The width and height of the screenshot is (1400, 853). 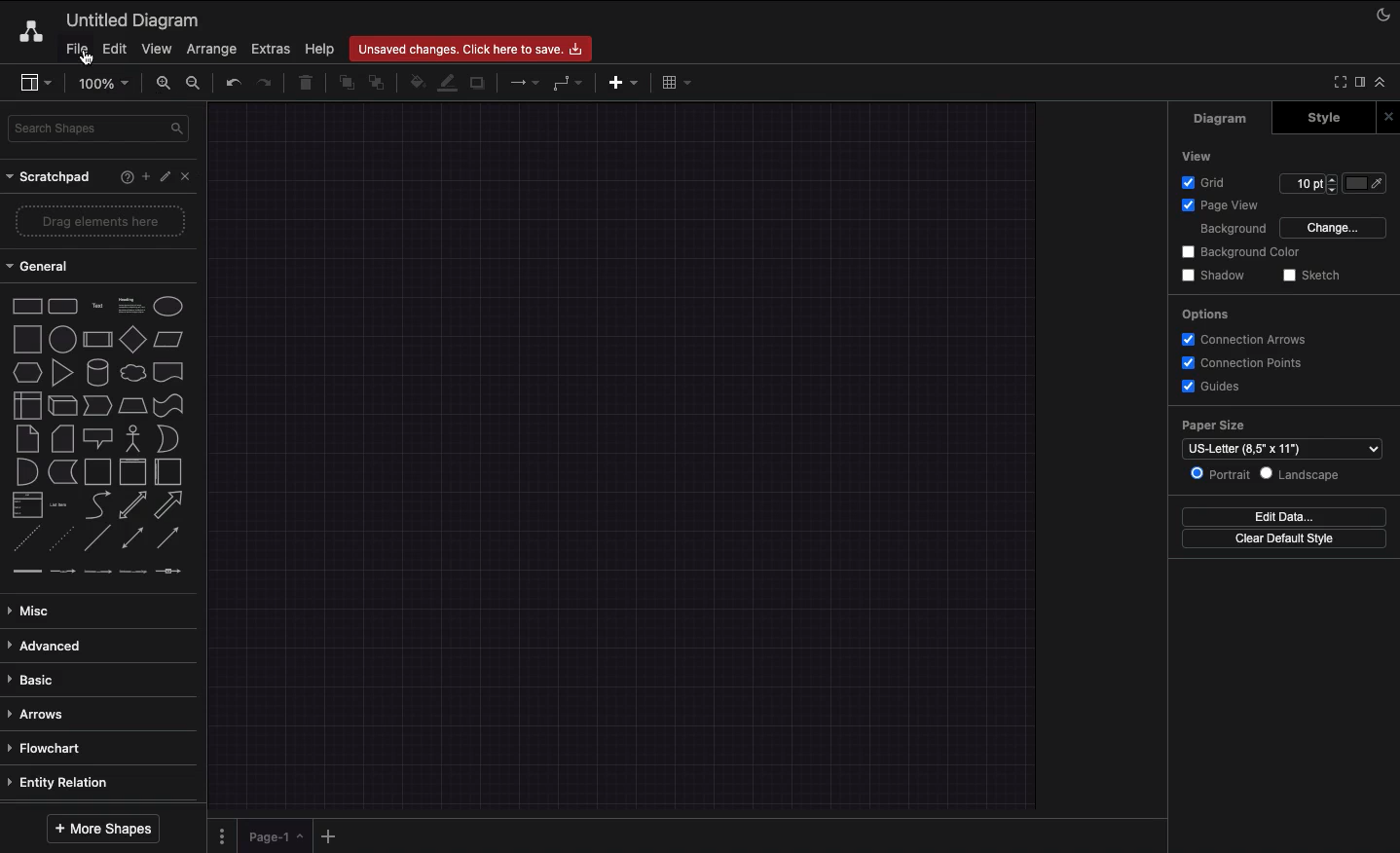 I want to click on Diamond, so click(x=132, y=340).